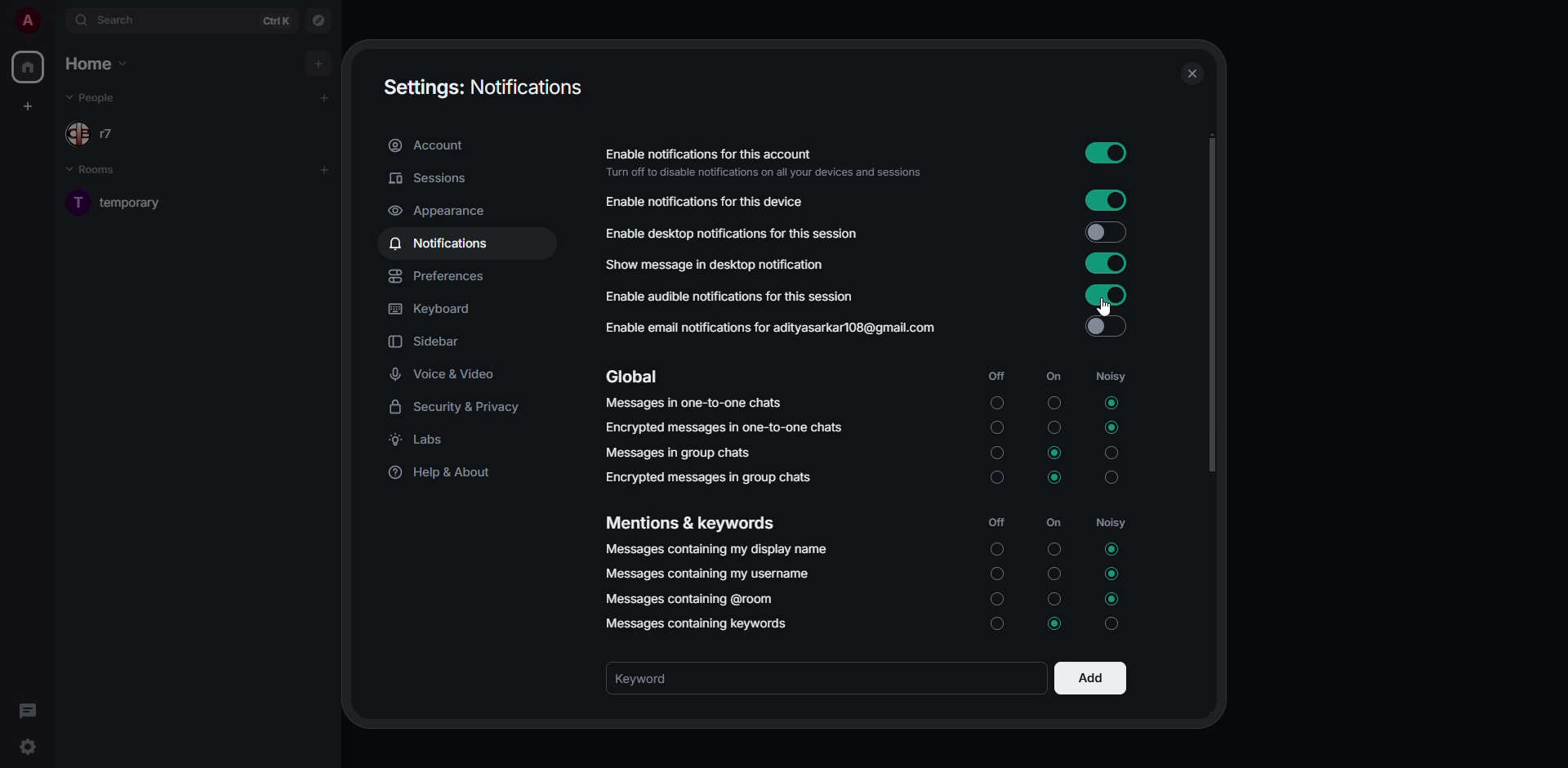  Describe the element at coordinates (716, 549) in the screenshot. I see `messages containing name` at that location.